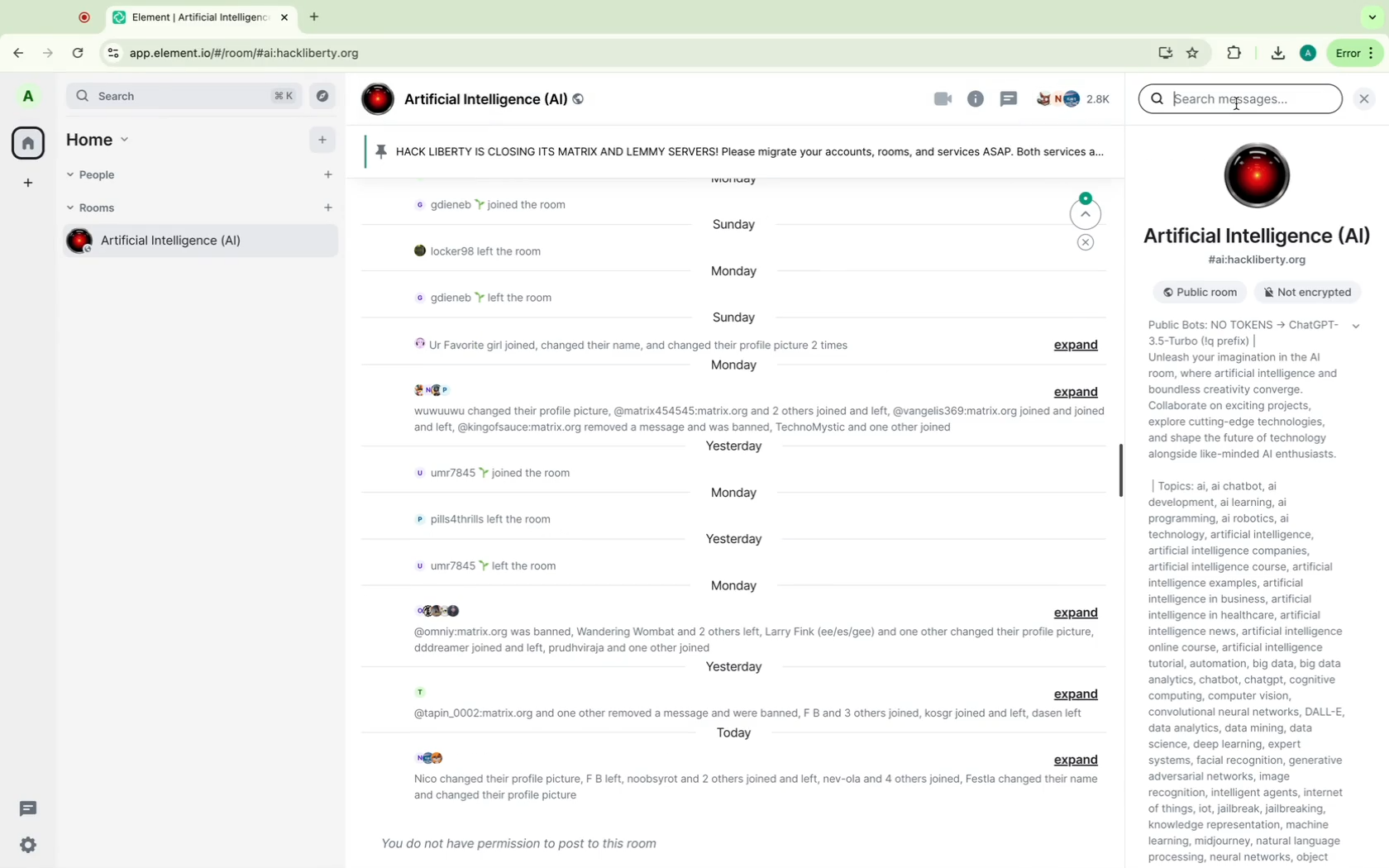  I want to click on url, so click(1260, 261).